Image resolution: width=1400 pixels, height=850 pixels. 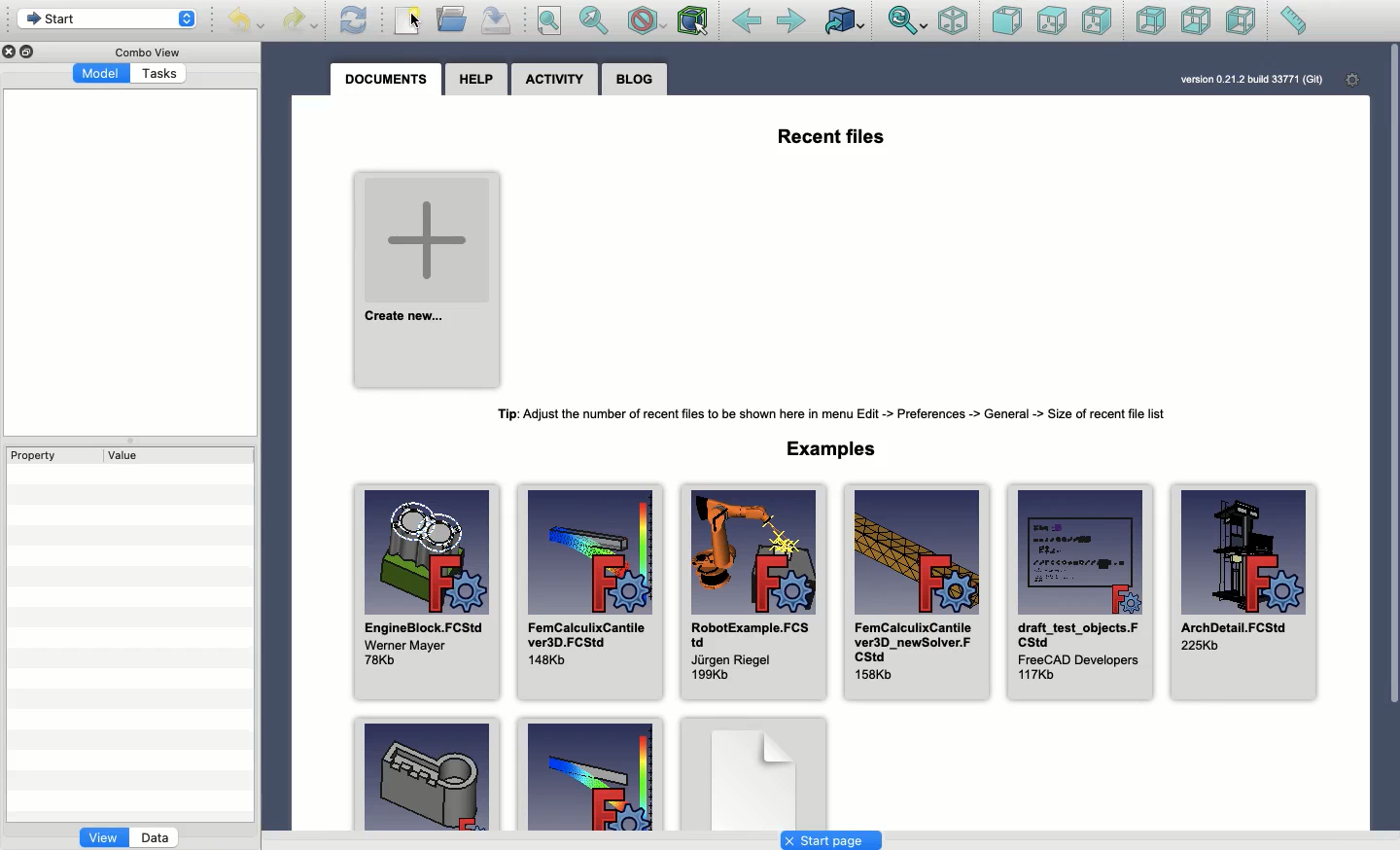 I want to click on FemCalculixCantile, so click(x=916, y=598).